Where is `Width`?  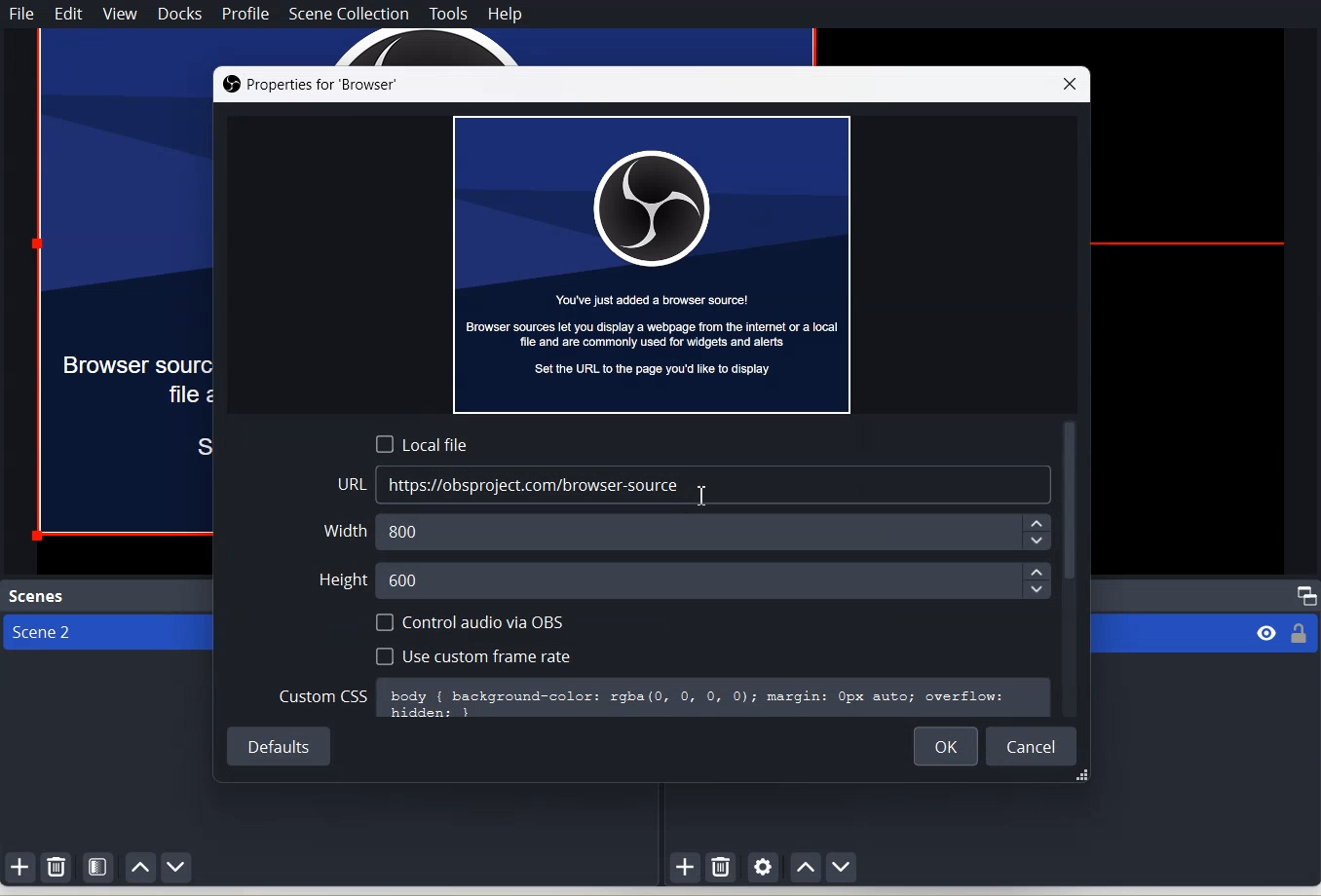
Width is located at coordinates (340, 532).